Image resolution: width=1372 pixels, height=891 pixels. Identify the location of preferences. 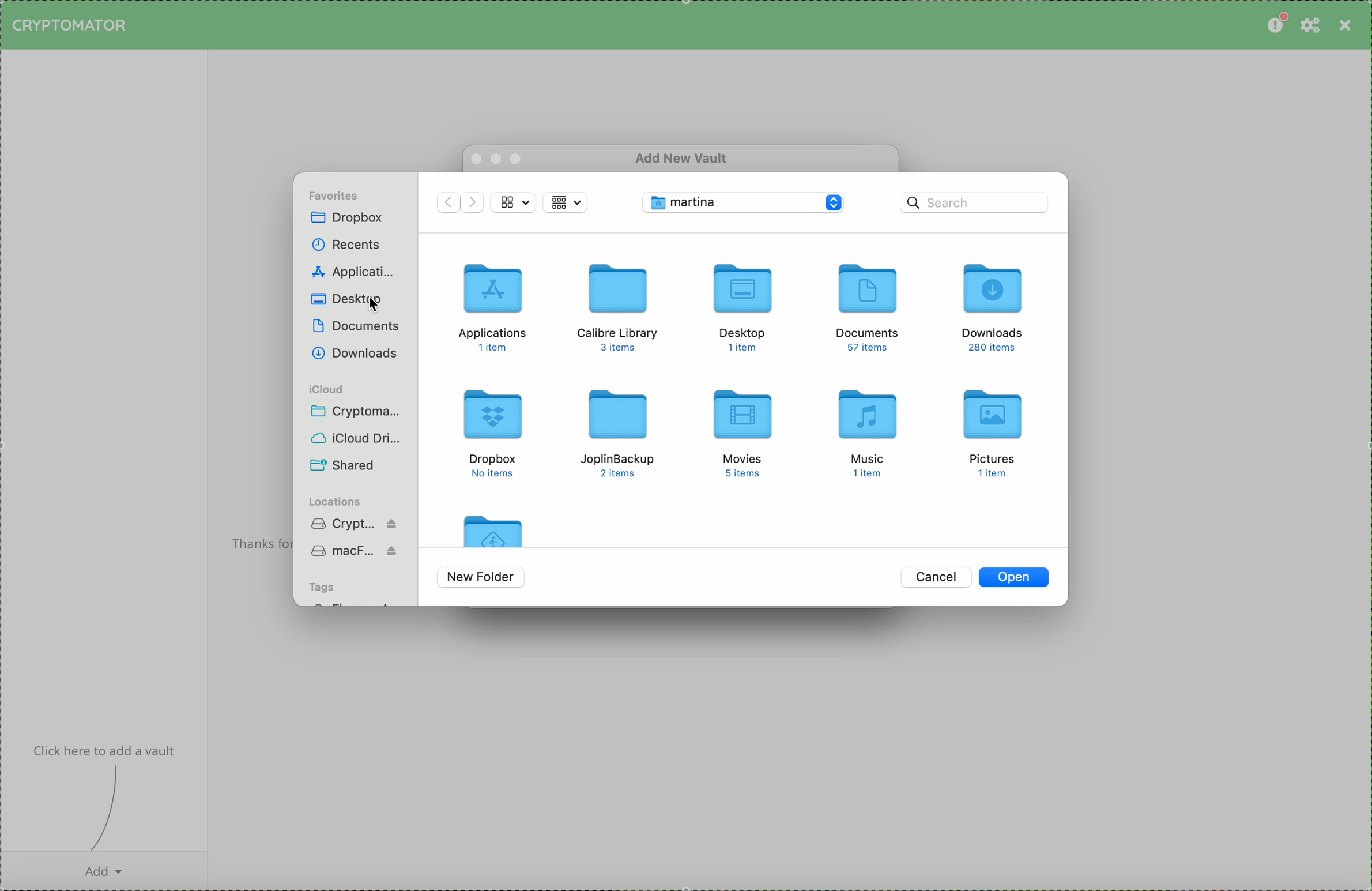
(1310, 25).